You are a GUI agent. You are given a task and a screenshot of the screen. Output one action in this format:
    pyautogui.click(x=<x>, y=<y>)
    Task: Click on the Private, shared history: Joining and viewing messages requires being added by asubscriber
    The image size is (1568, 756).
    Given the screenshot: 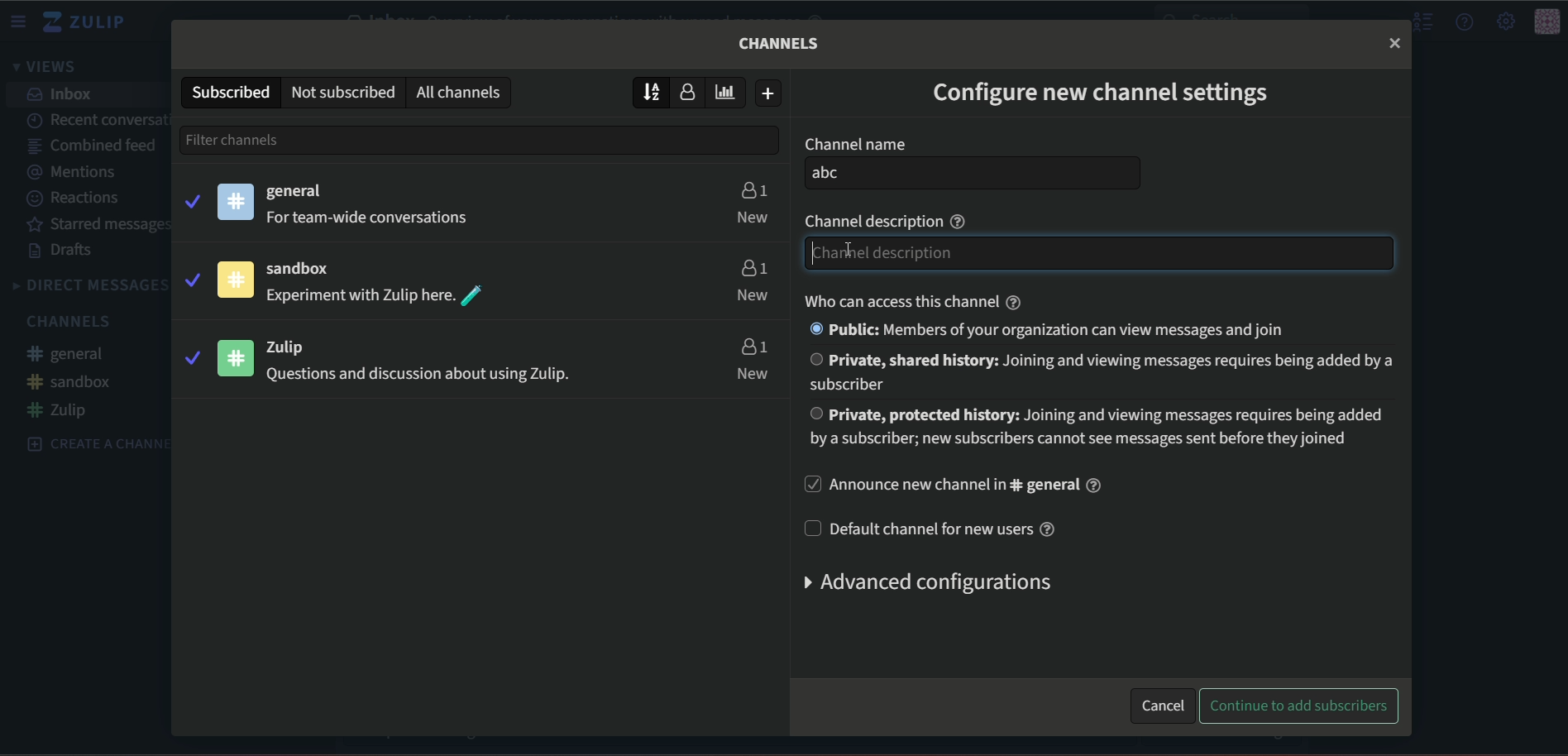 What is the action you would take?
    pyautogui.click(x=1111, y=371)
    